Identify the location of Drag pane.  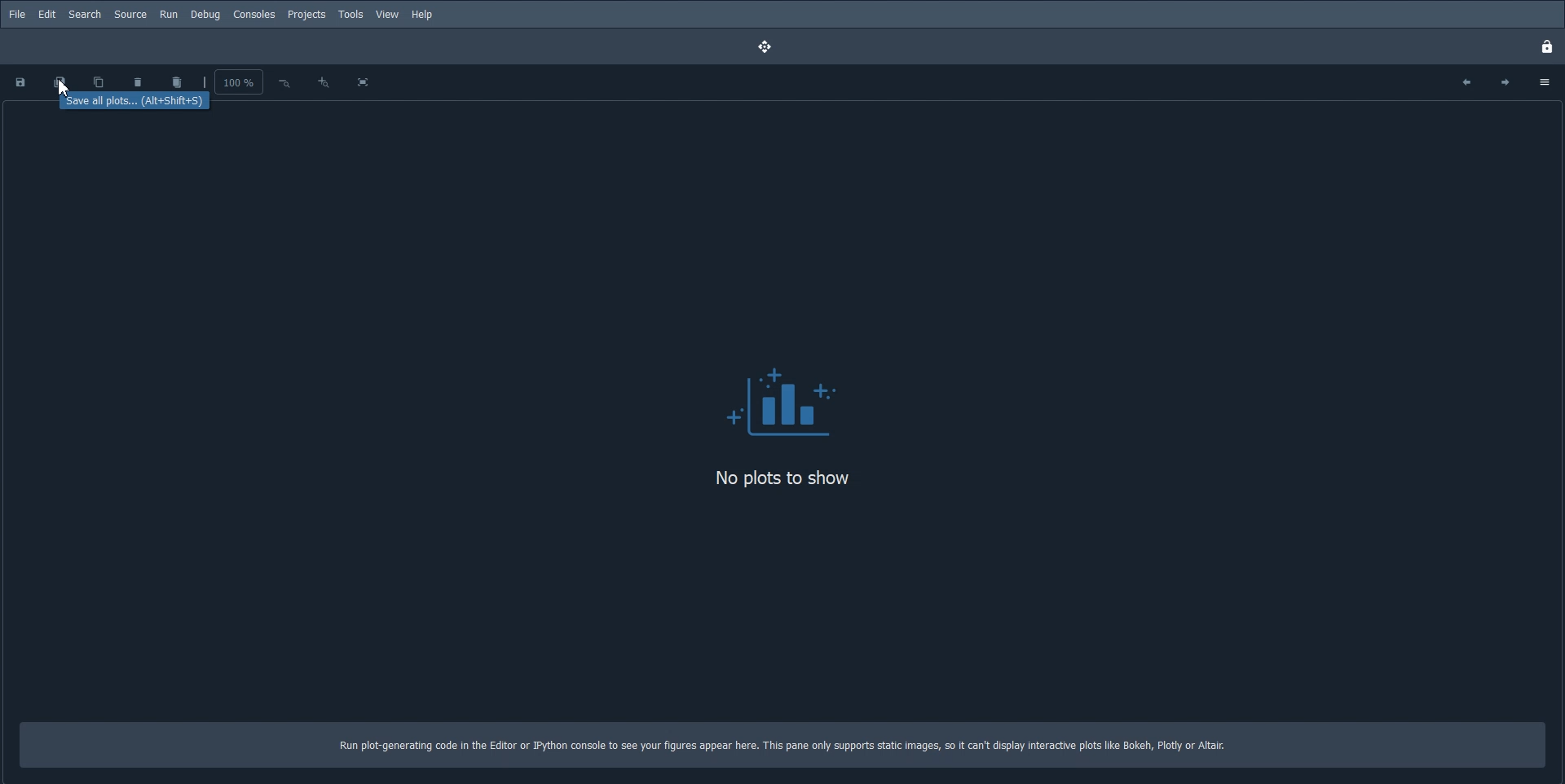
(766, 45).